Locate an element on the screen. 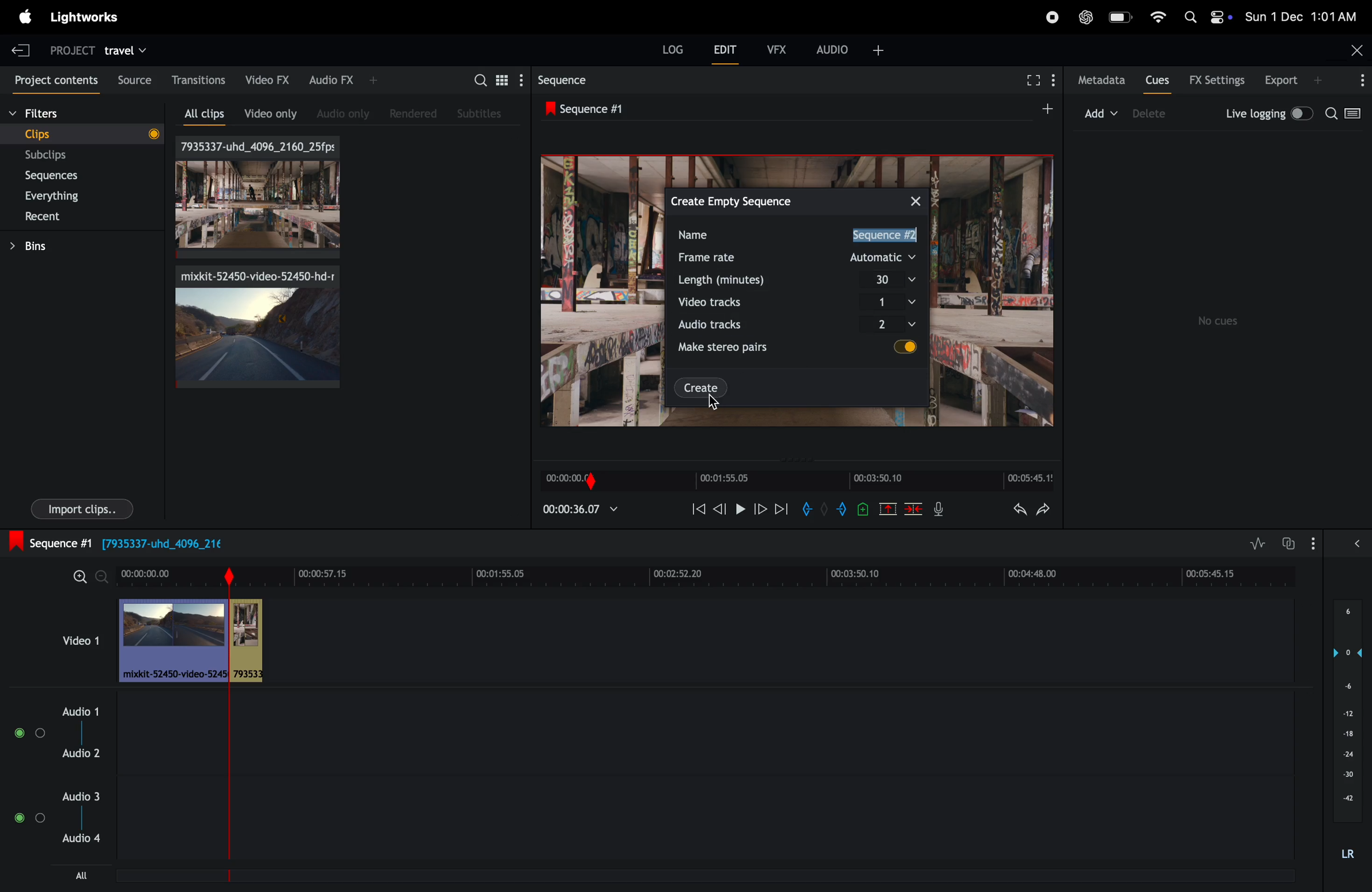 The height and width of the screenshot is (892, 1372). show settings menu is located at coordinates (1316, 543).